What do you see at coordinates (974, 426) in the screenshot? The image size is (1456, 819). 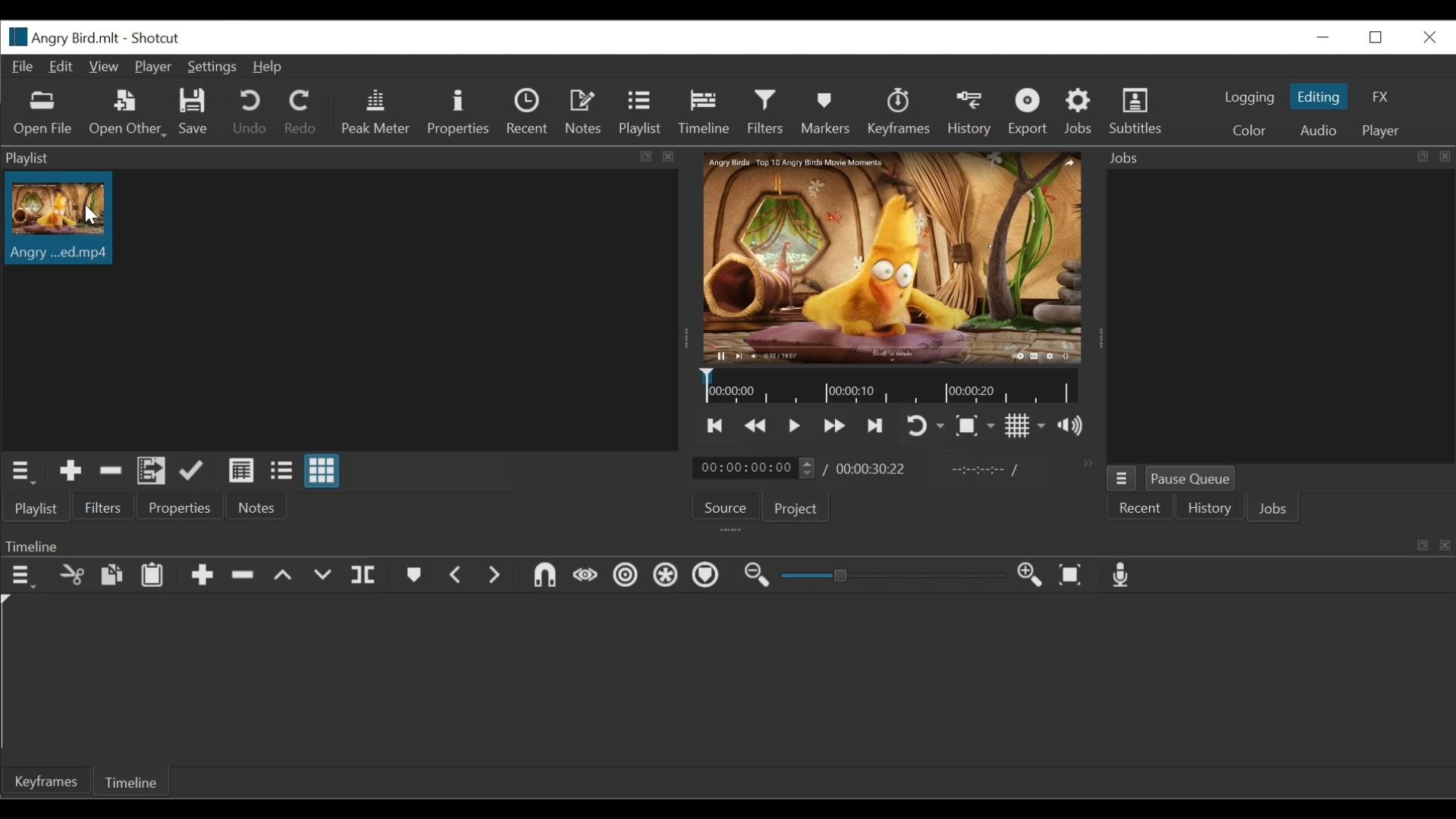 I see `Toggle zoom` at bounding box center [974, 426].